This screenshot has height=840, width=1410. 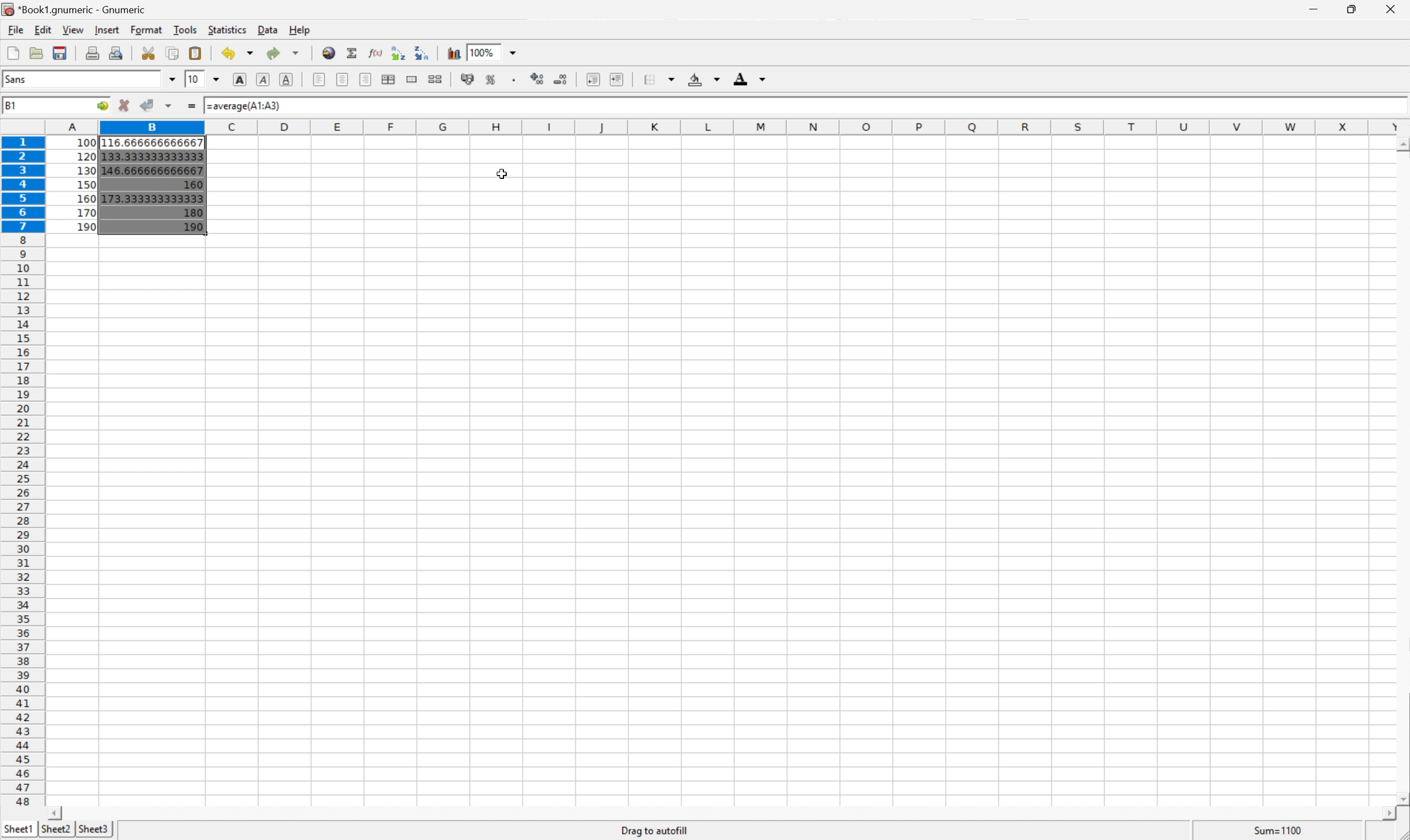 I want to click on 180, so click(x=191, y=213).